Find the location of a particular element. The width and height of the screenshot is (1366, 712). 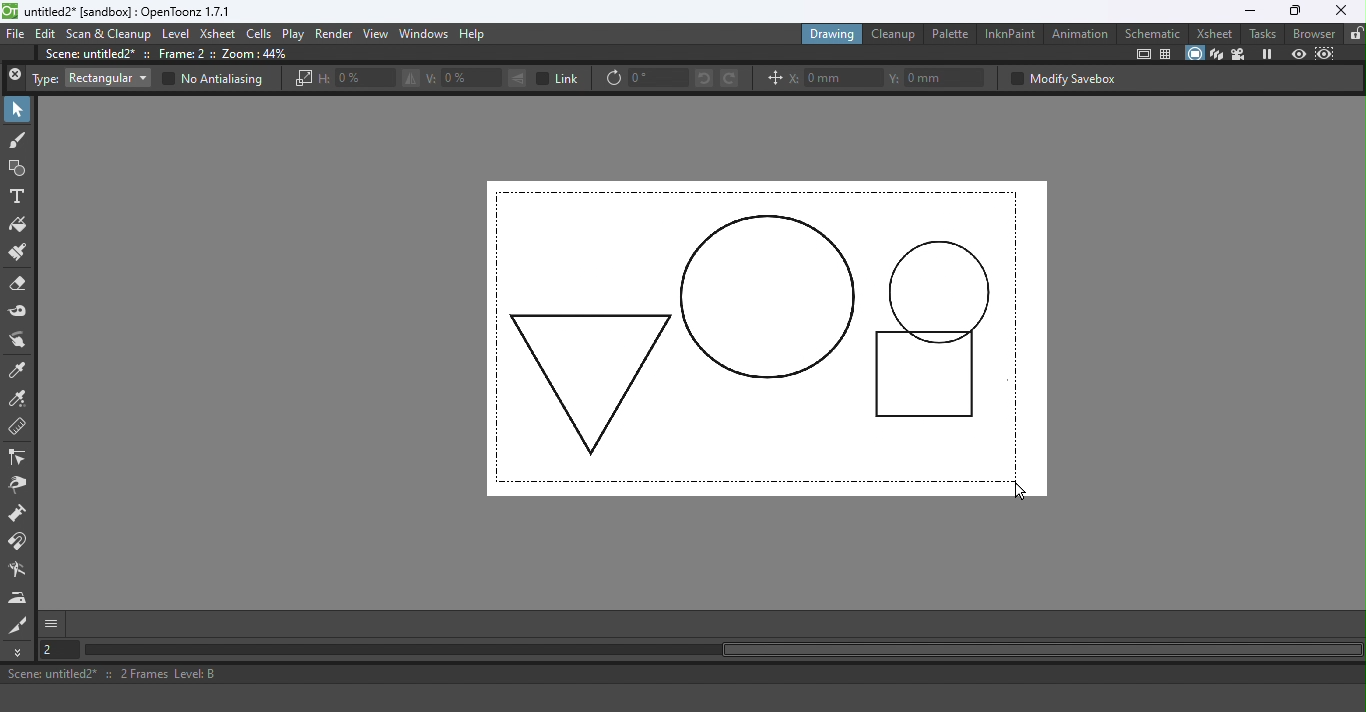

Help is located at coordinates (481, 33).